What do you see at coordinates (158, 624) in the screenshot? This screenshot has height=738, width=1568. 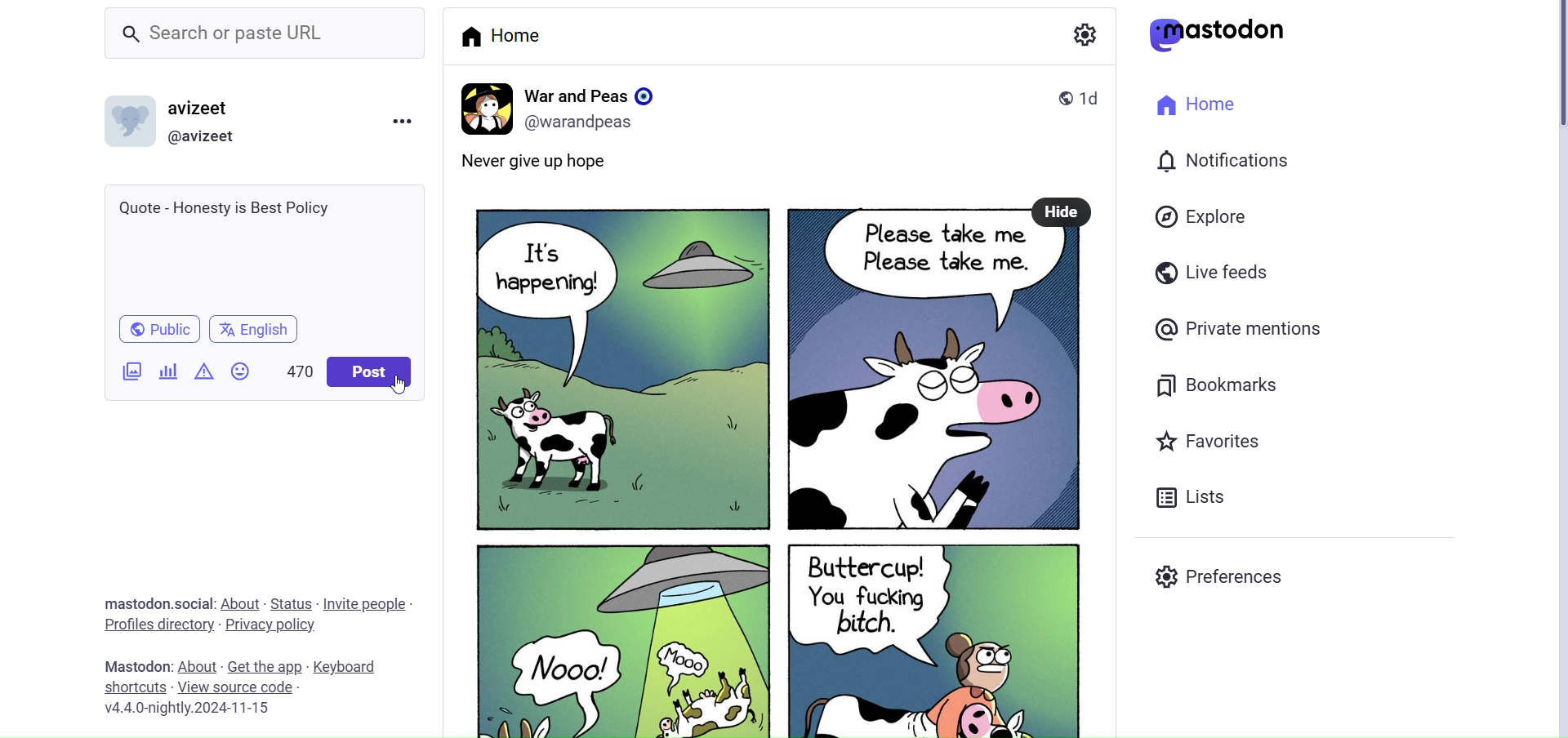 I see `profiles directory` at bounding box center [158, 624].